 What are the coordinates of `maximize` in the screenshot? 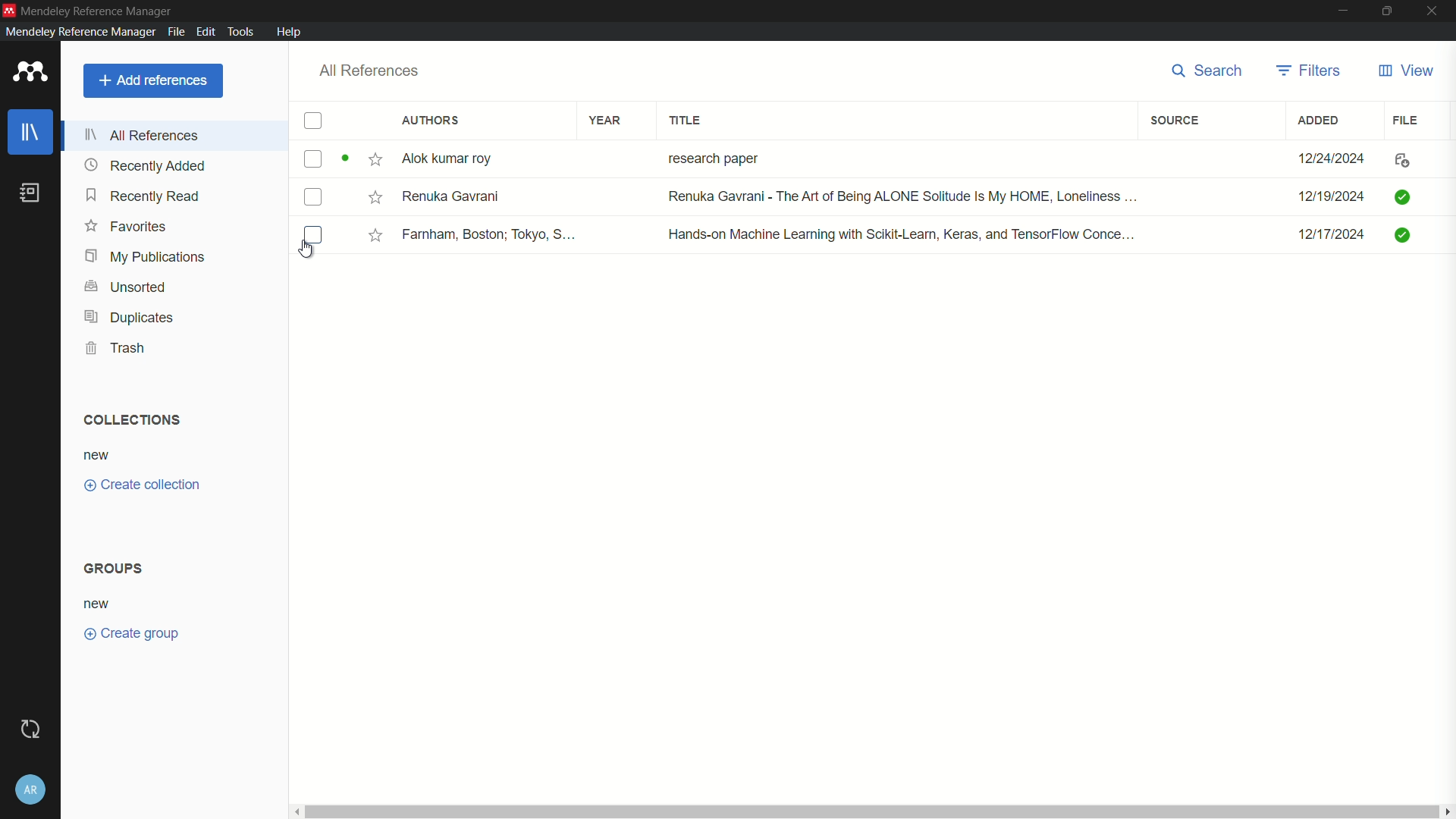 It's located at (1384, 11).